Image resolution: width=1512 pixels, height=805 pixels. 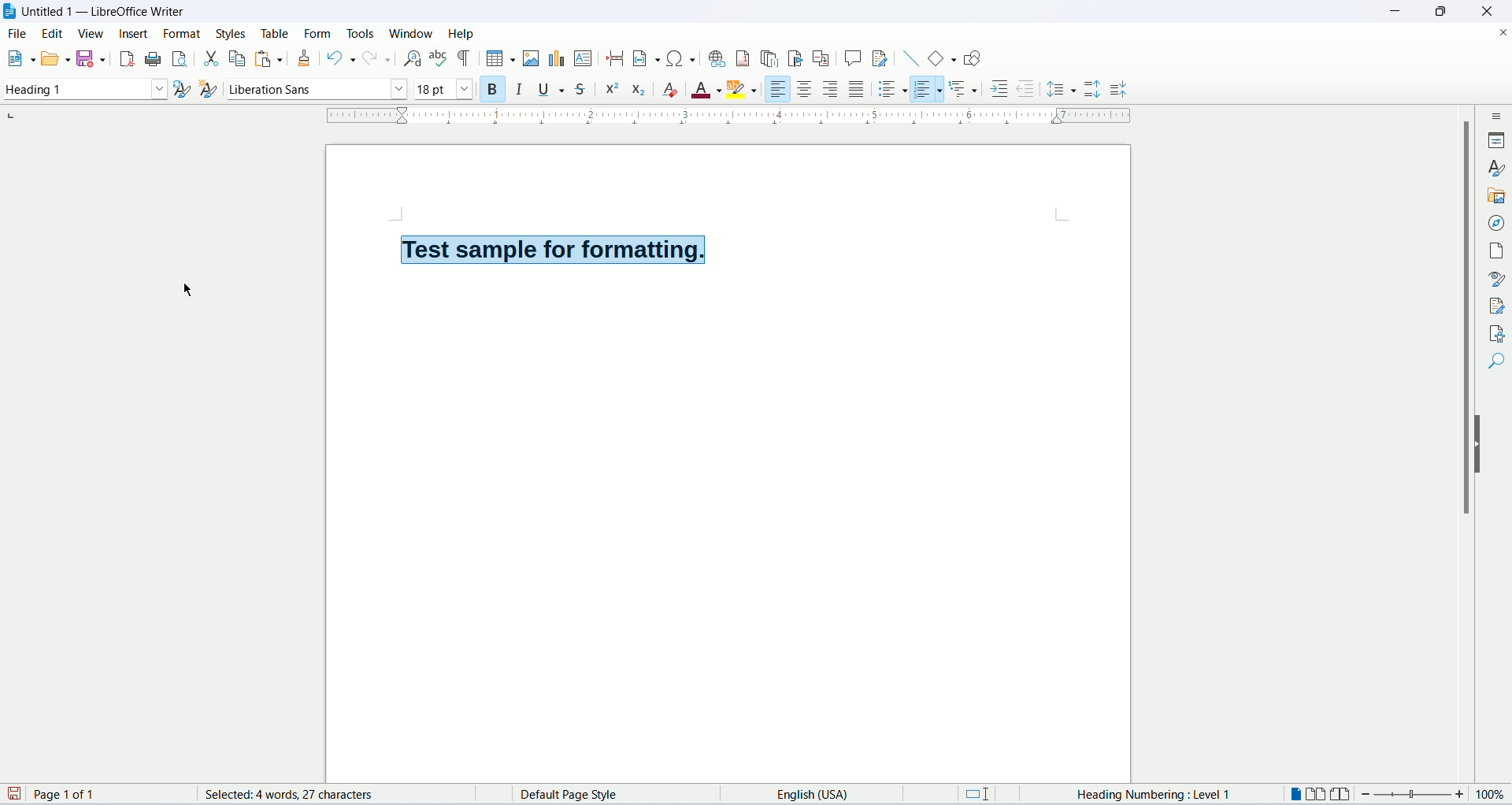 What do you see at coordinates (852, 57) in the screenshot?
I see `insert comment` at bounding box center [852, 57].